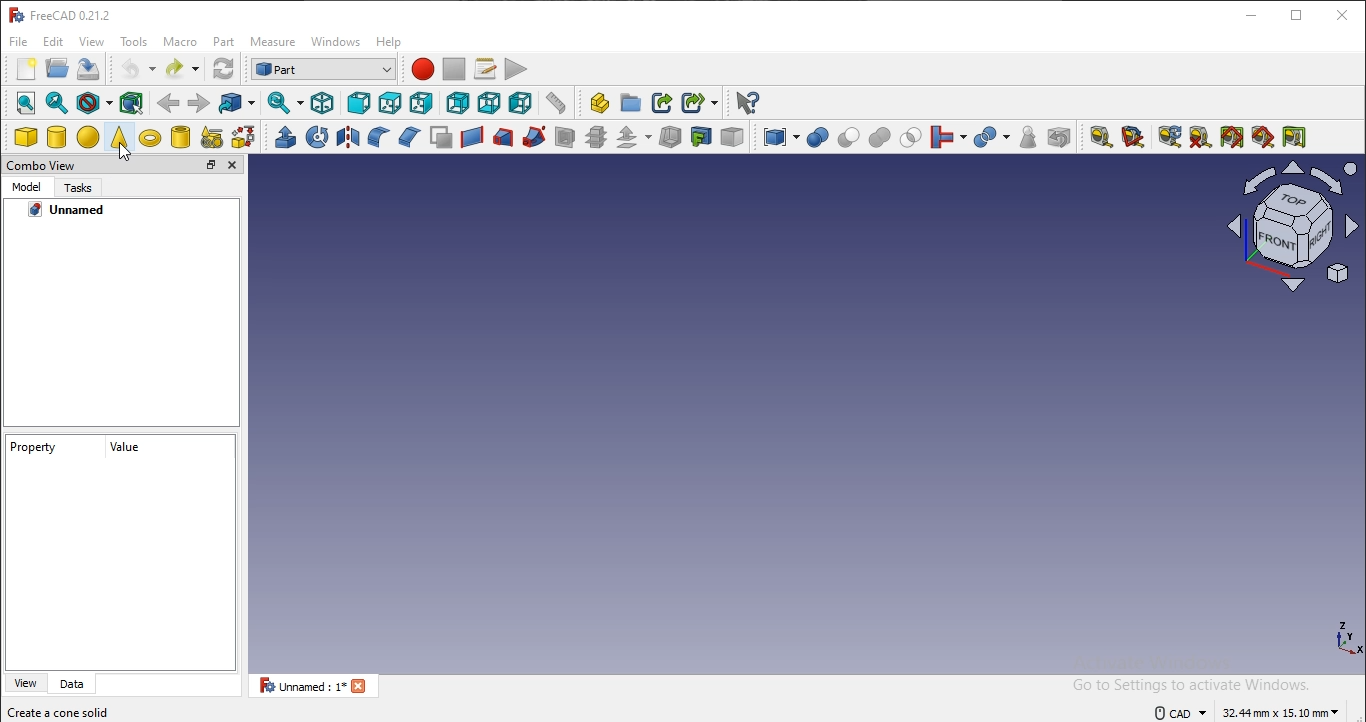 The image size is (1366, 722). Describe the element at coordinates (78, 186) in the screenshot. I see `tasks` at that location.